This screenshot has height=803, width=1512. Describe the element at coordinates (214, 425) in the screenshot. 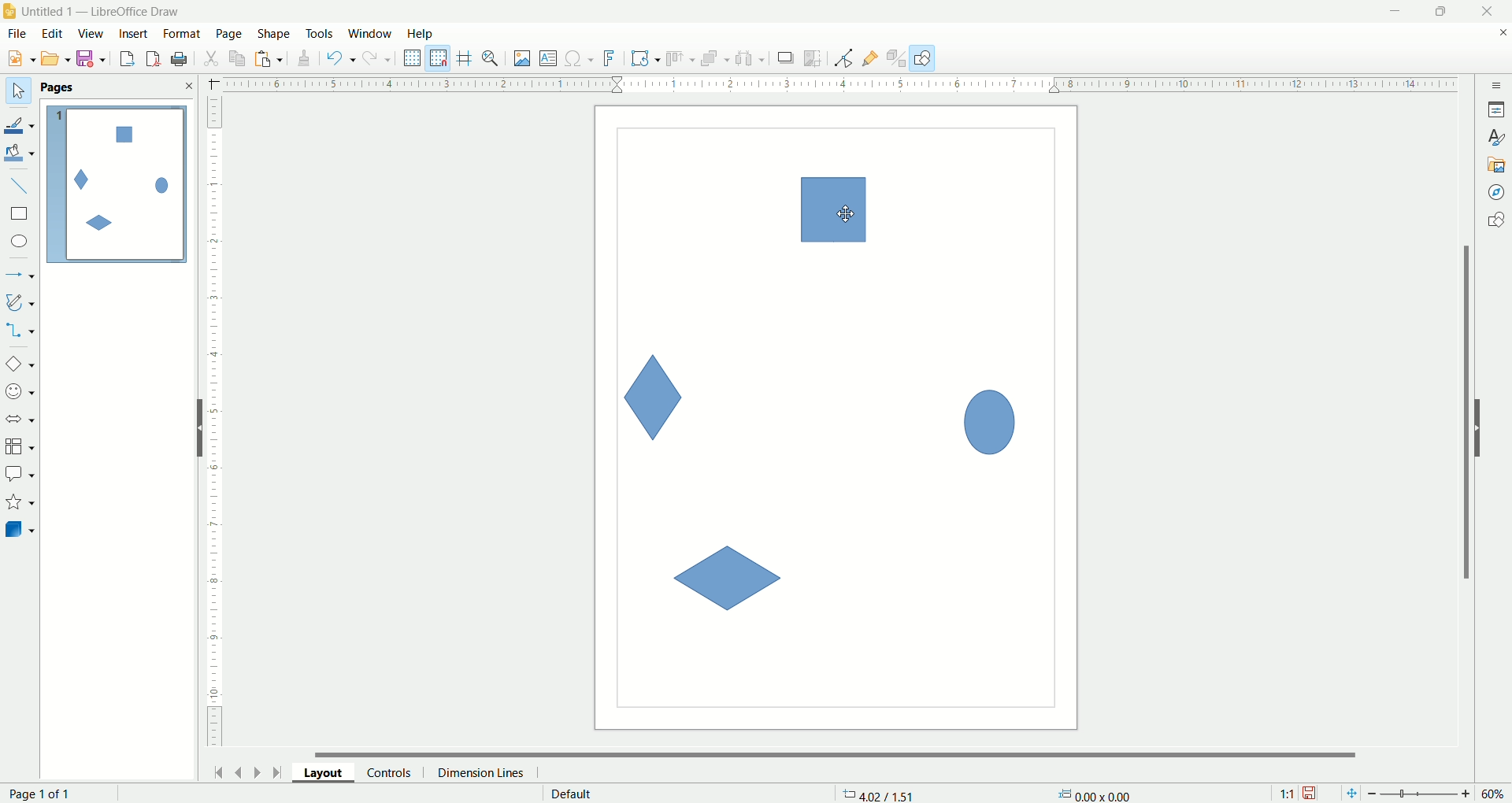

I see `scale bar` at that location.